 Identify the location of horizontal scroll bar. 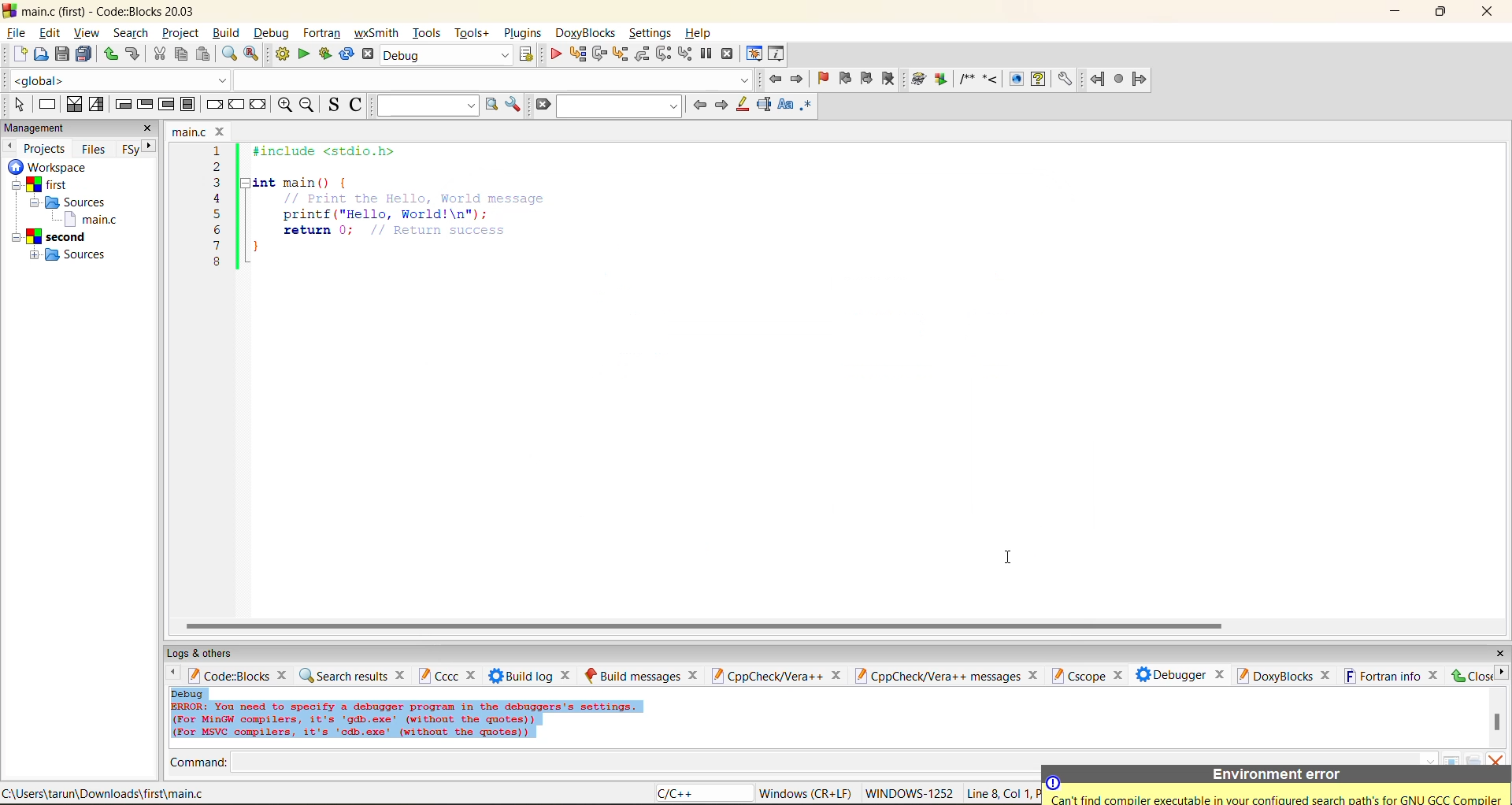
(703, 627).